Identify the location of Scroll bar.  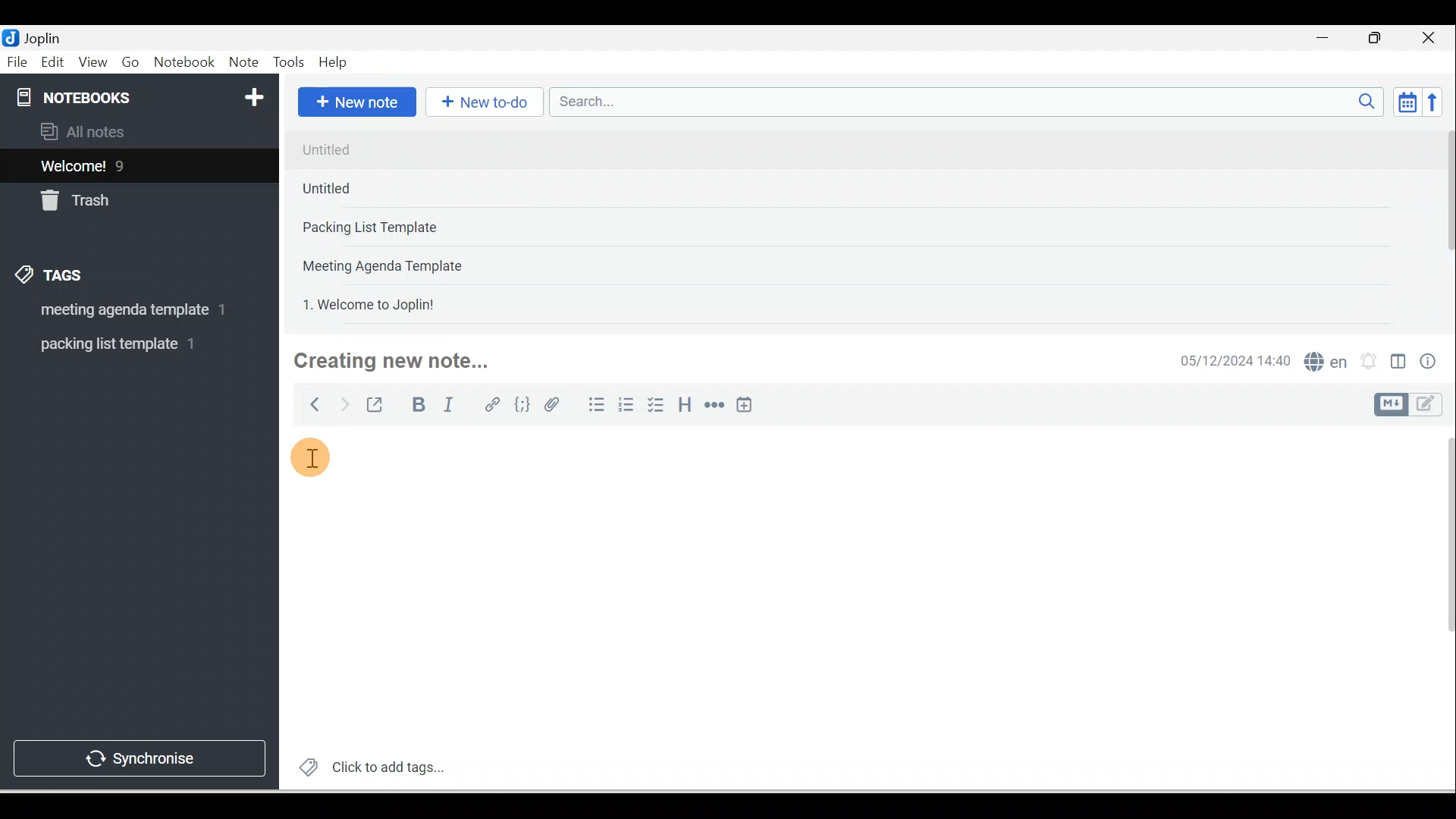
(1444, 224).